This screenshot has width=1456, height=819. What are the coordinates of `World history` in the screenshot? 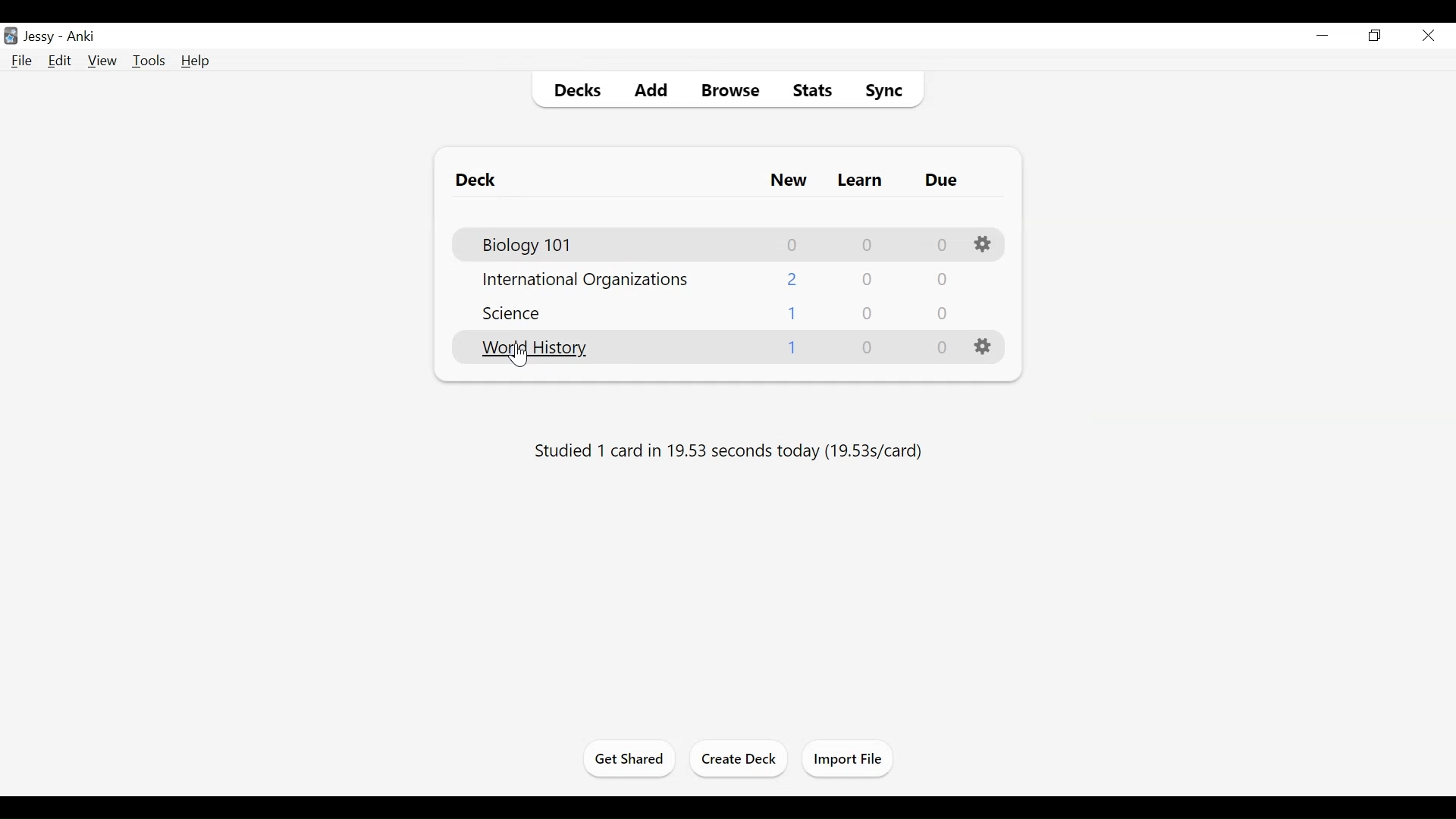 It's located at (533, 349).